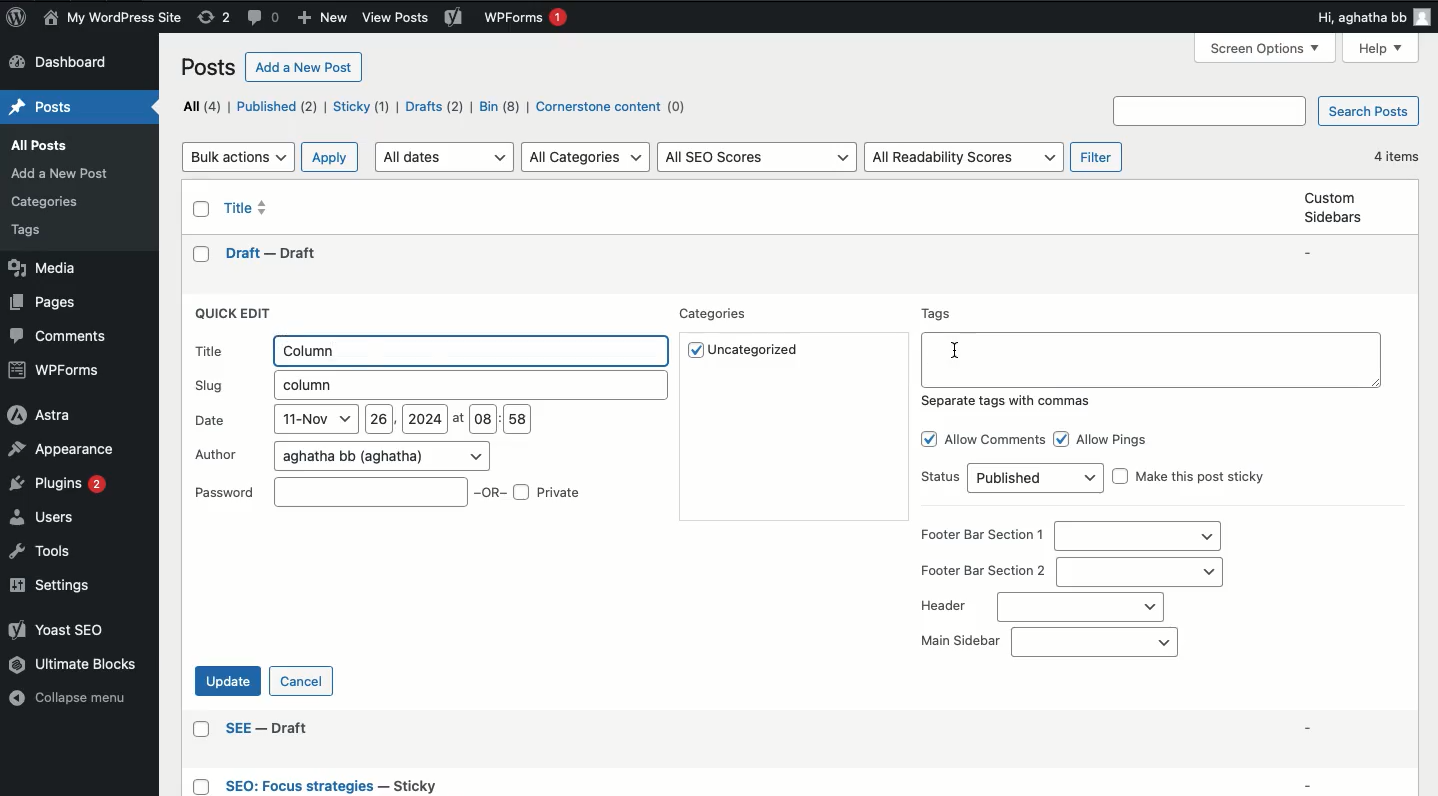  I want to click on Posts, so click(46, 145).